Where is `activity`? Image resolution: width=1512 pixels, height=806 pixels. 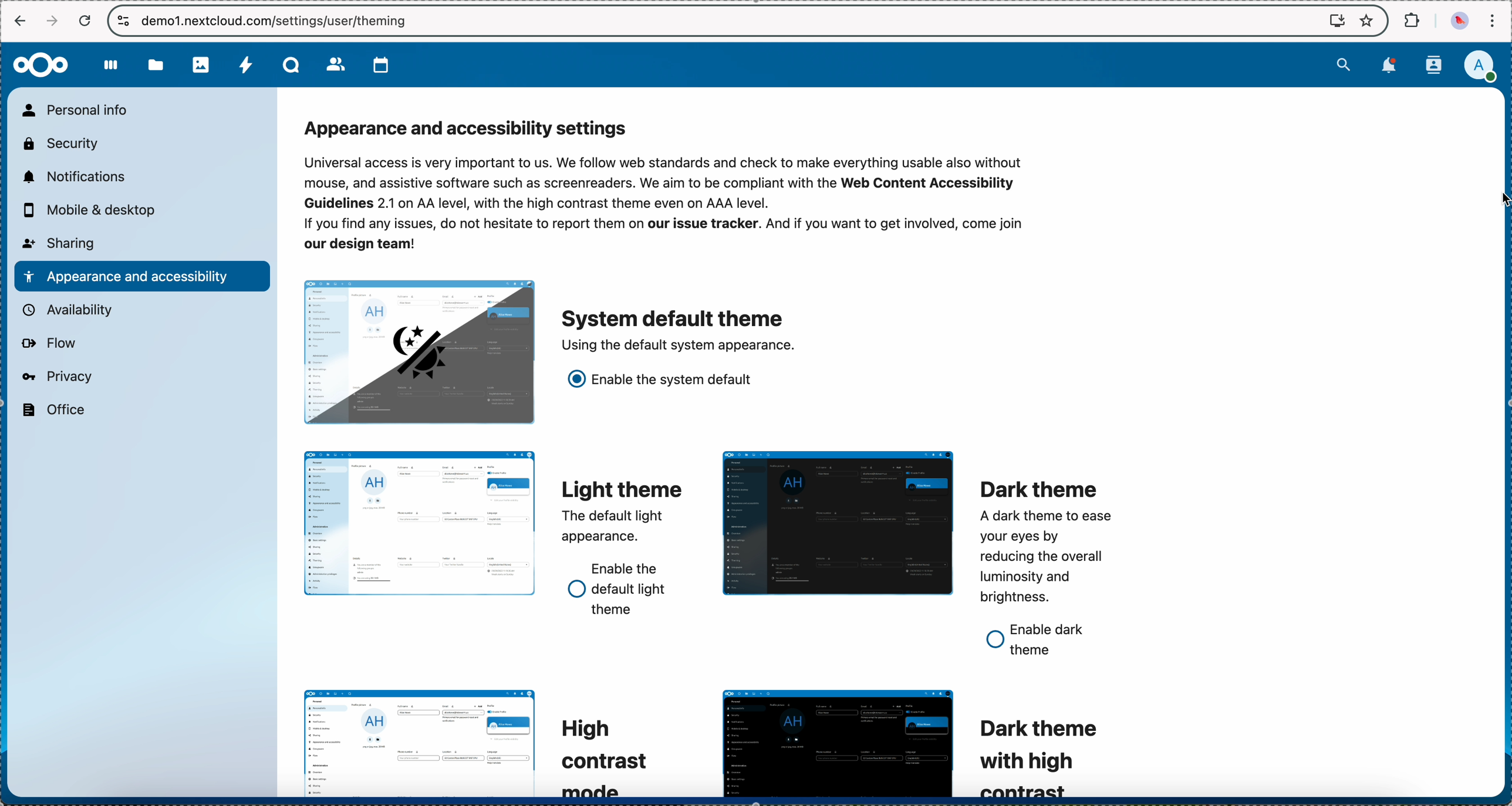 activity is located at coordinates (244, 66).